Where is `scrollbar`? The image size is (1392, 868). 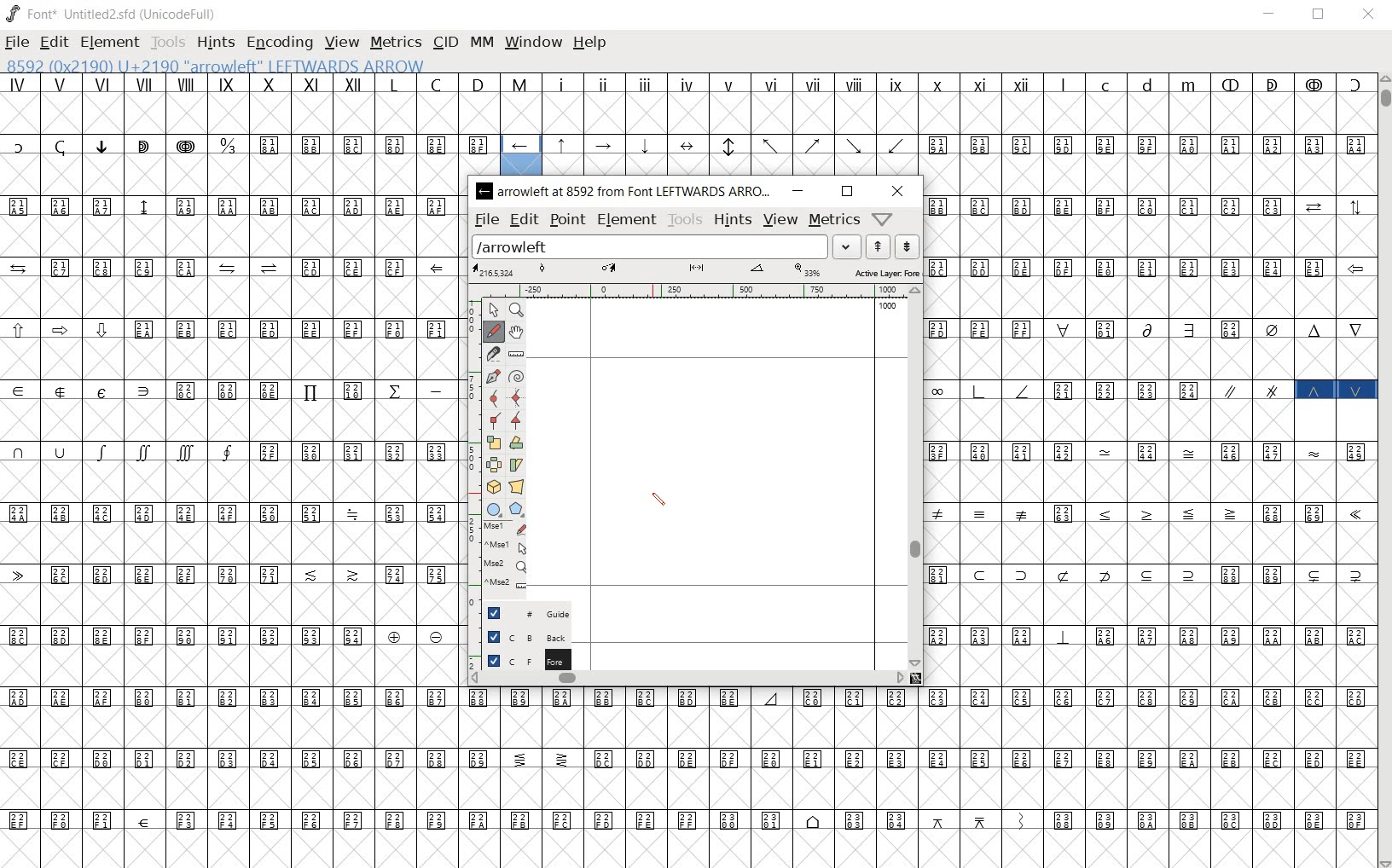
scrollbar is located at coordinates (687, 679).